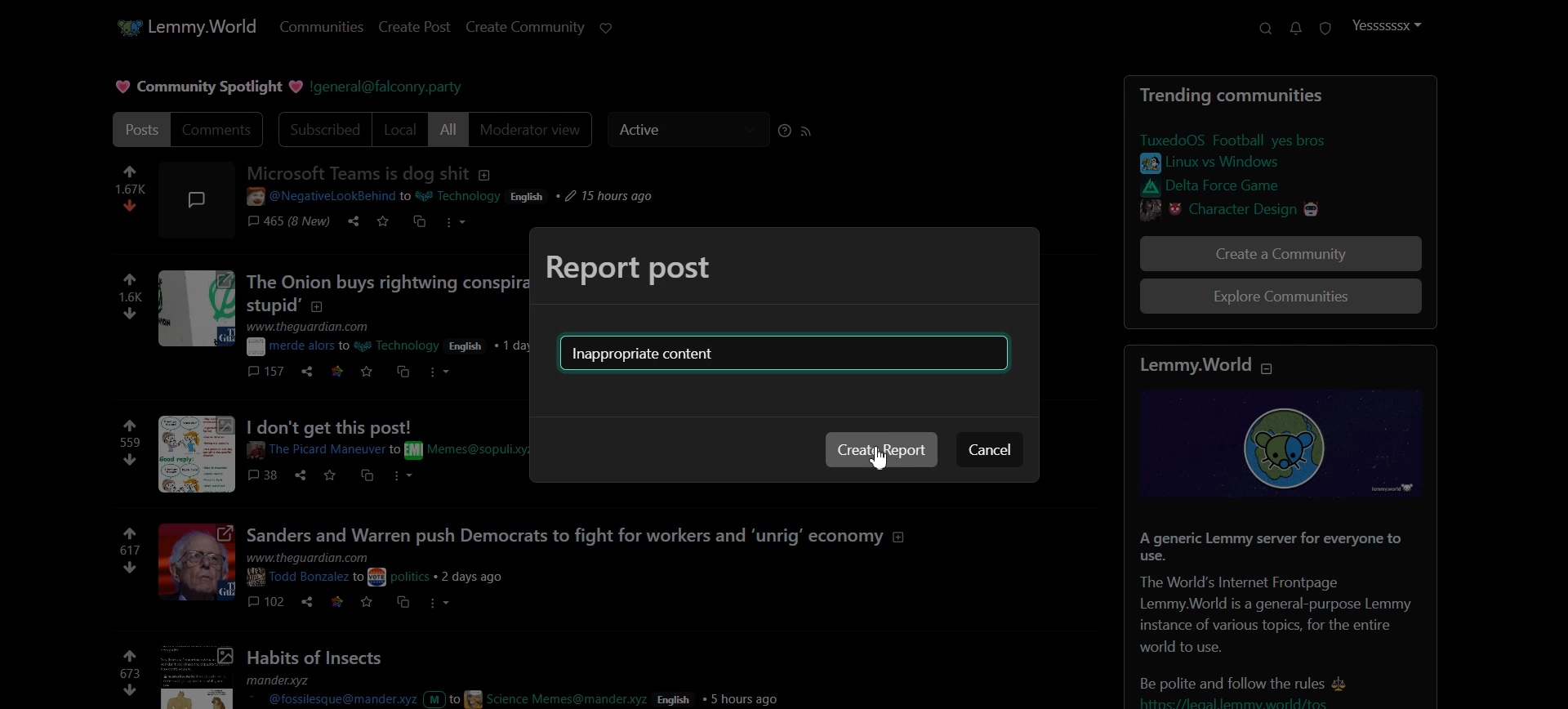 The height and width of the screenshot is (709, 1568). What do you see at coordinates (131, 187) in the screenshot?
I see `numbers` at bounding box center [131, 187].